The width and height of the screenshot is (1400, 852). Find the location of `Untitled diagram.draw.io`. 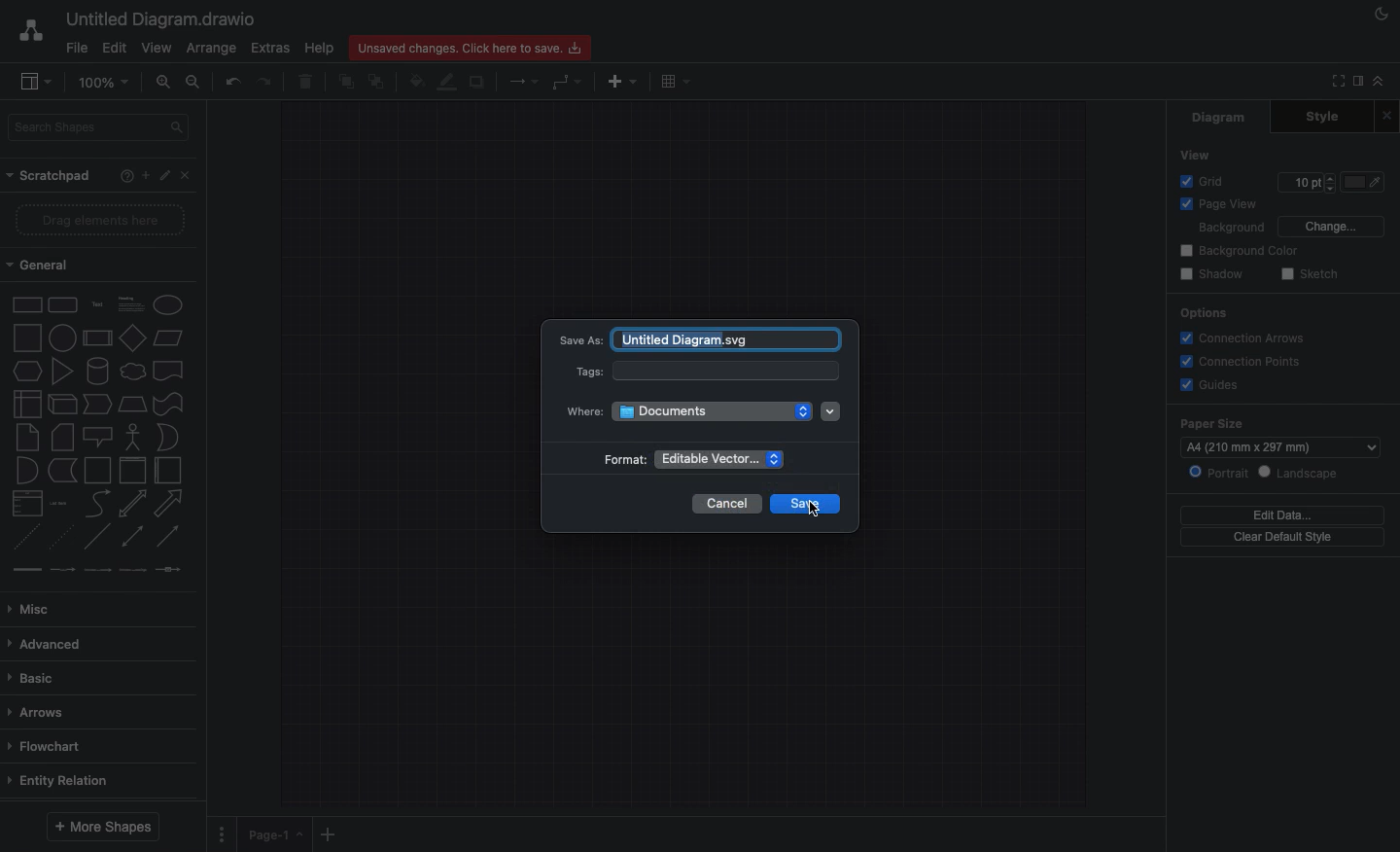

Untitled diagram.draw.io is located at coordinates (165, 20).